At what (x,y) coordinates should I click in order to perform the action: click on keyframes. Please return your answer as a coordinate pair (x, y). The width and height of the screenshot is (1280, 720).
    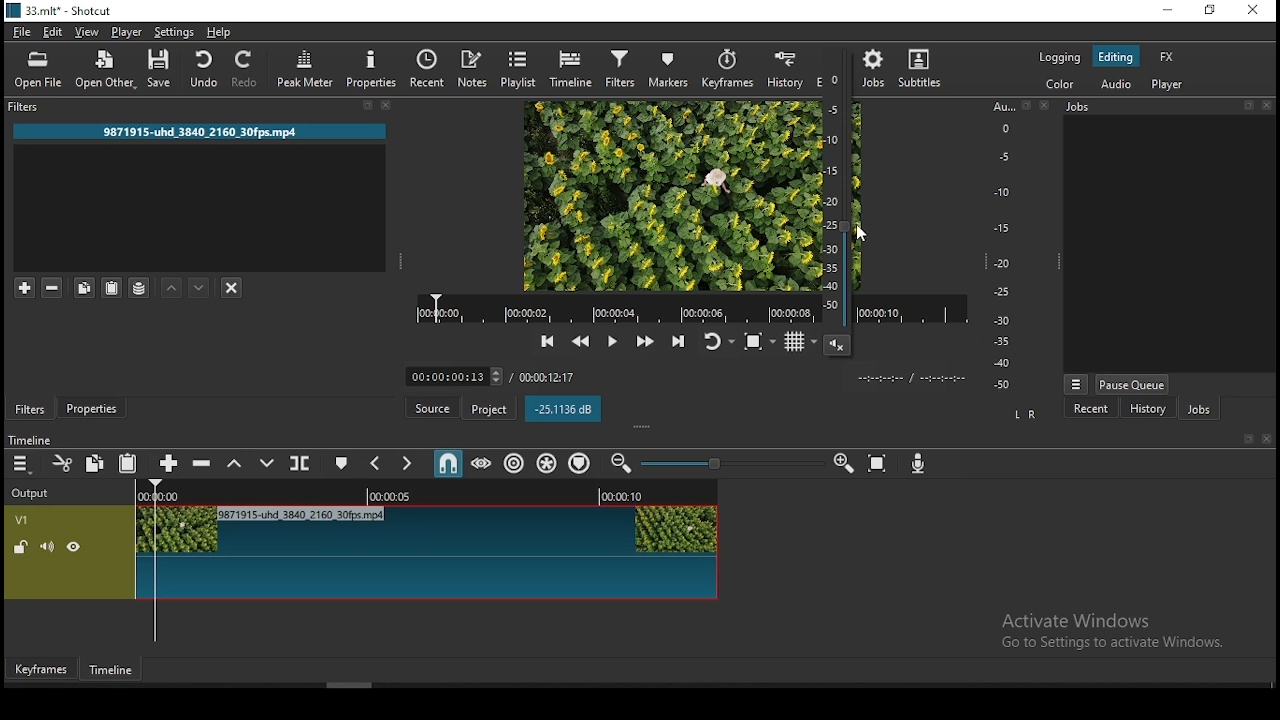
    Looking at the image, I should click on (45, 668).